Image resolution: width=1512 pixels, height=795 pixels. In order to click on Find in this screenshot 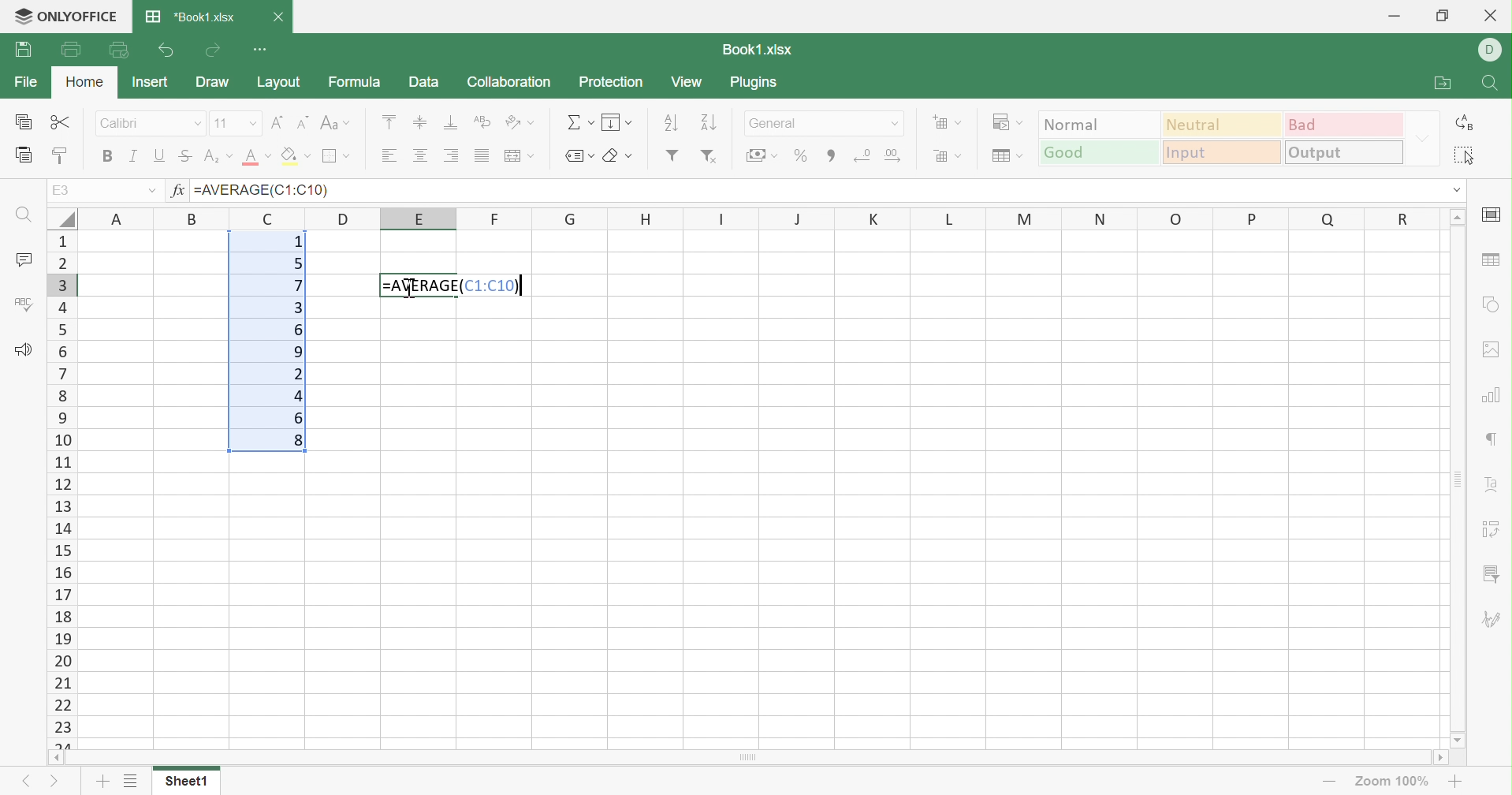, I will do `click(1492, 84)`.